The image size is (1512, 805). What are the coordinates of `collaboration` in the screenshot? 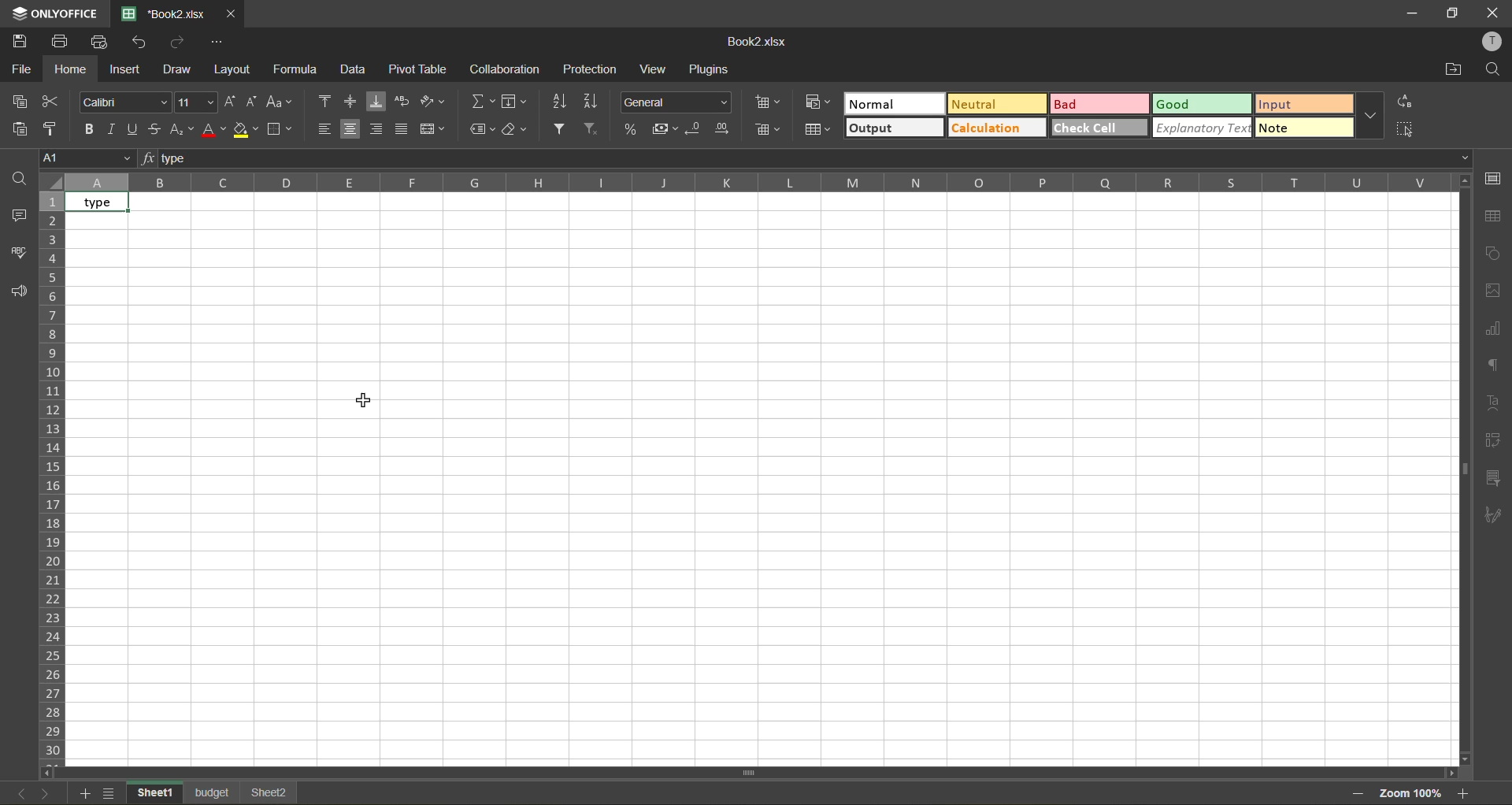 It's located at (503, 72).